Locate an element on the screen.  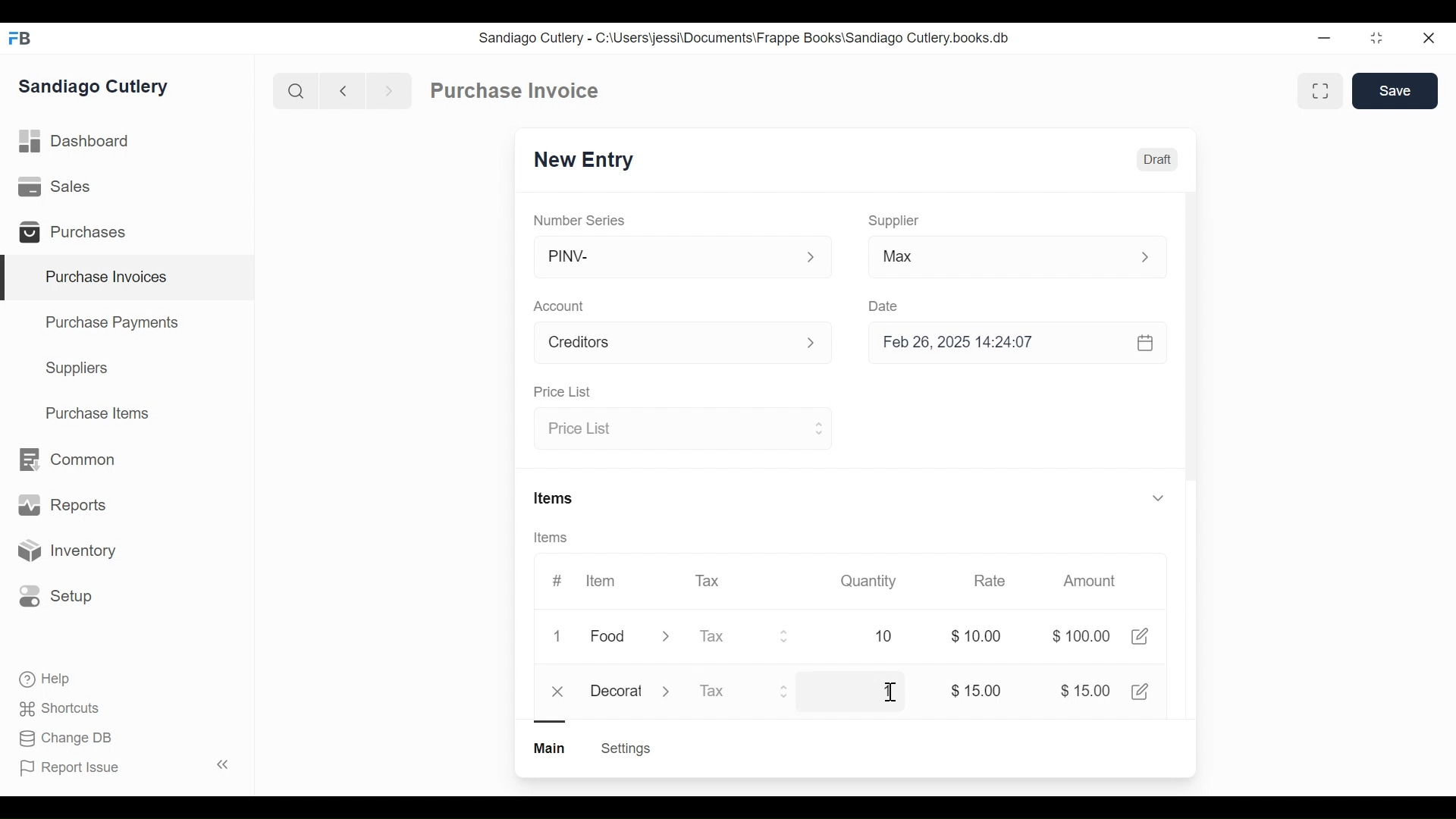
Common is located at coordinates (65, 460).